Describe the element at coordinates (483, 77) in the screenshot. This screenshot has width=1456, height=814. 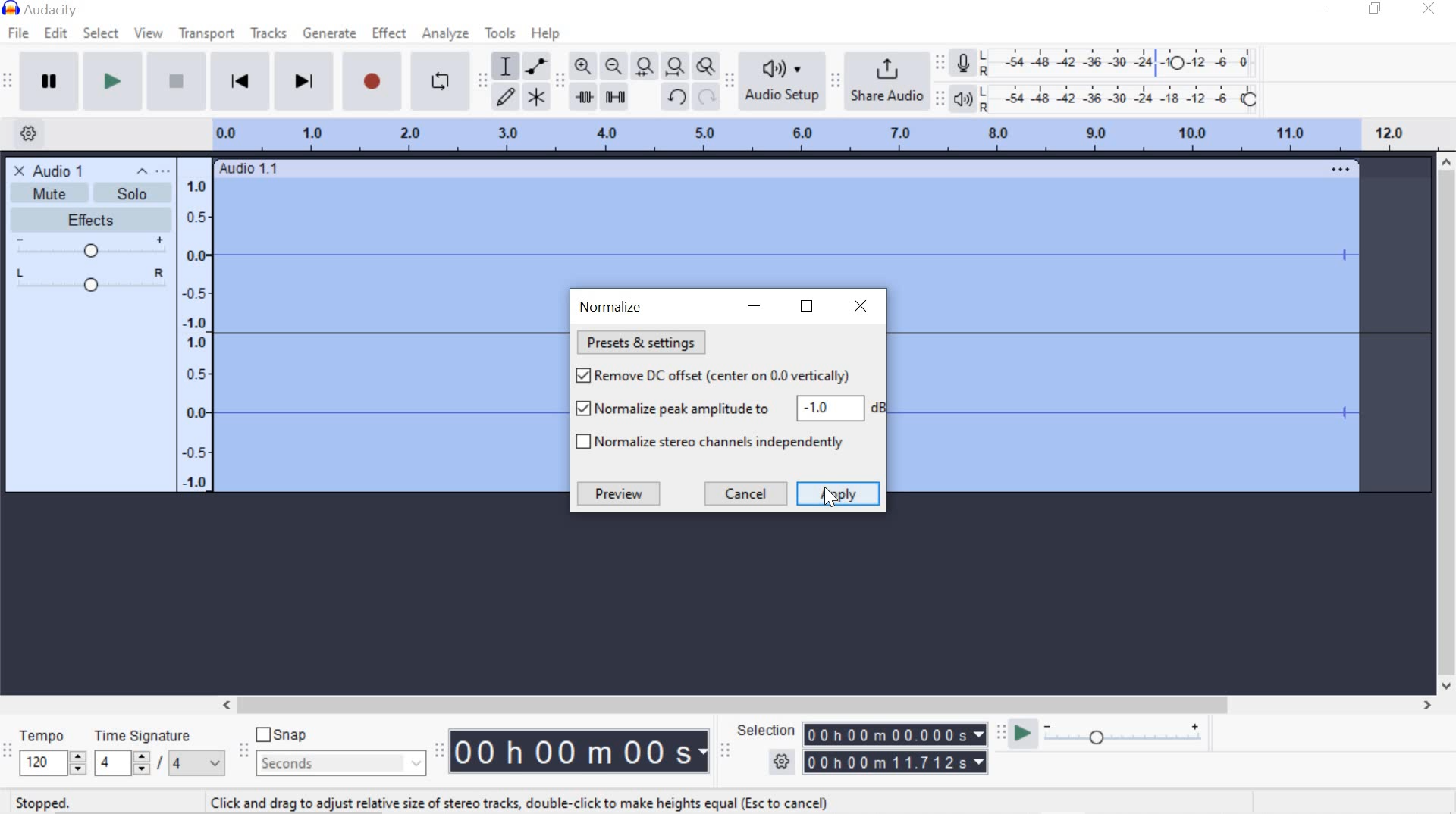
I see `Tools Toolbar` at that location.